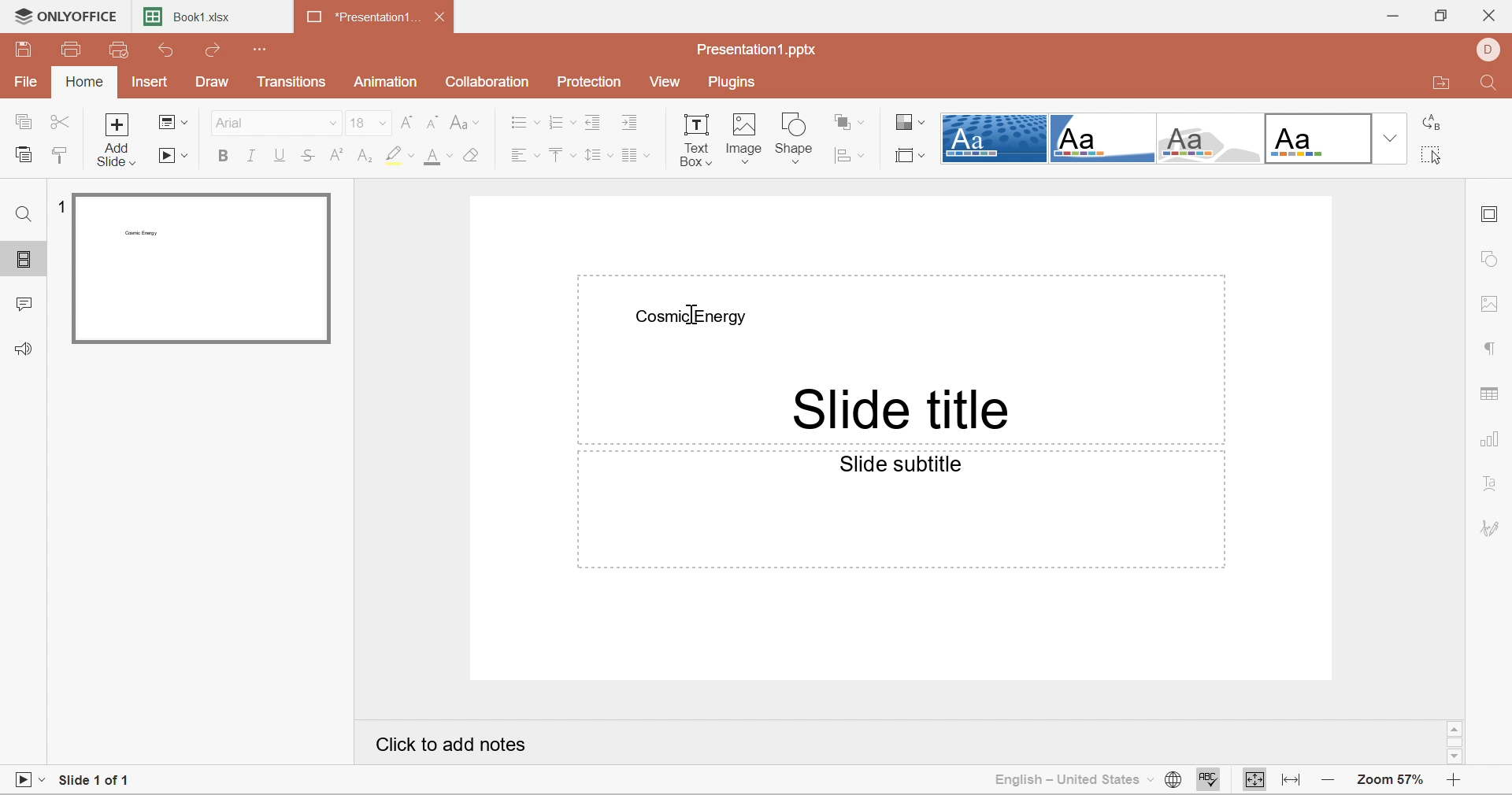 Image resolution: width=1512 pixels, height=795 pixels. I want to click on Arrange shapes, so click(849, 121).